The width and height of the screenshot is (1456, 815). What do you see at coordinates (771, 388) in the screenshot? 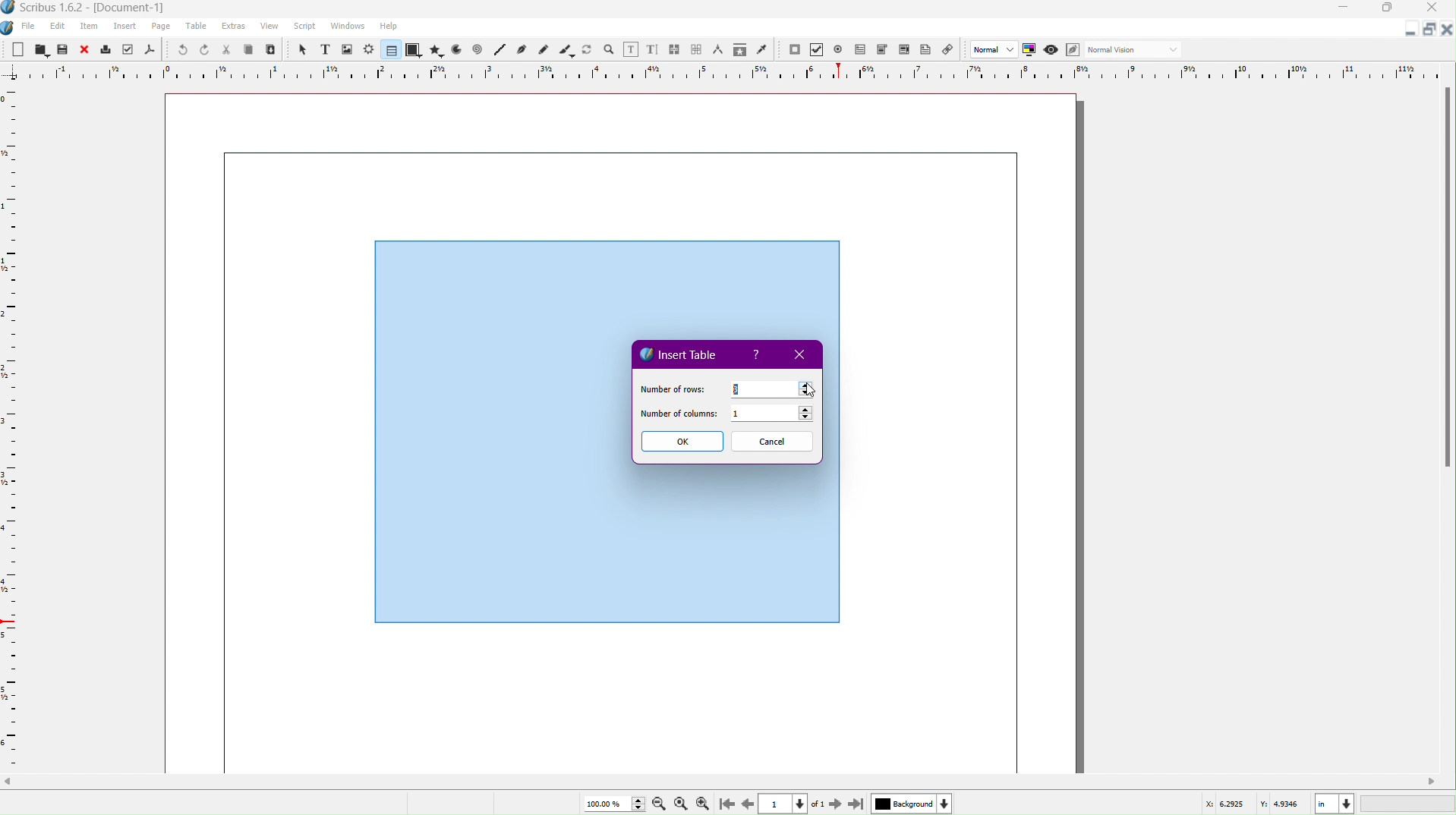
I see `Rows` at bounding box center [771, 388].